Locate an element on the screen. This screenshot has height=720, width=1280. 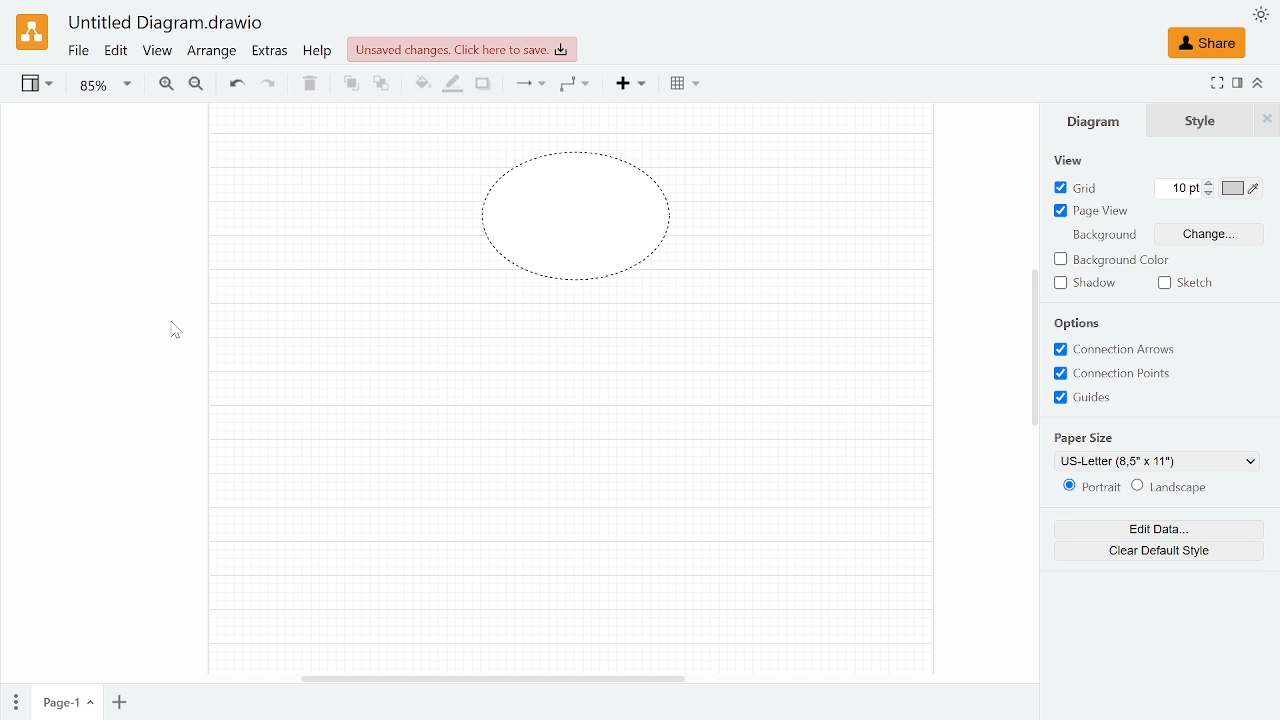
Increase grid count is located at coordinates (1209, 184).